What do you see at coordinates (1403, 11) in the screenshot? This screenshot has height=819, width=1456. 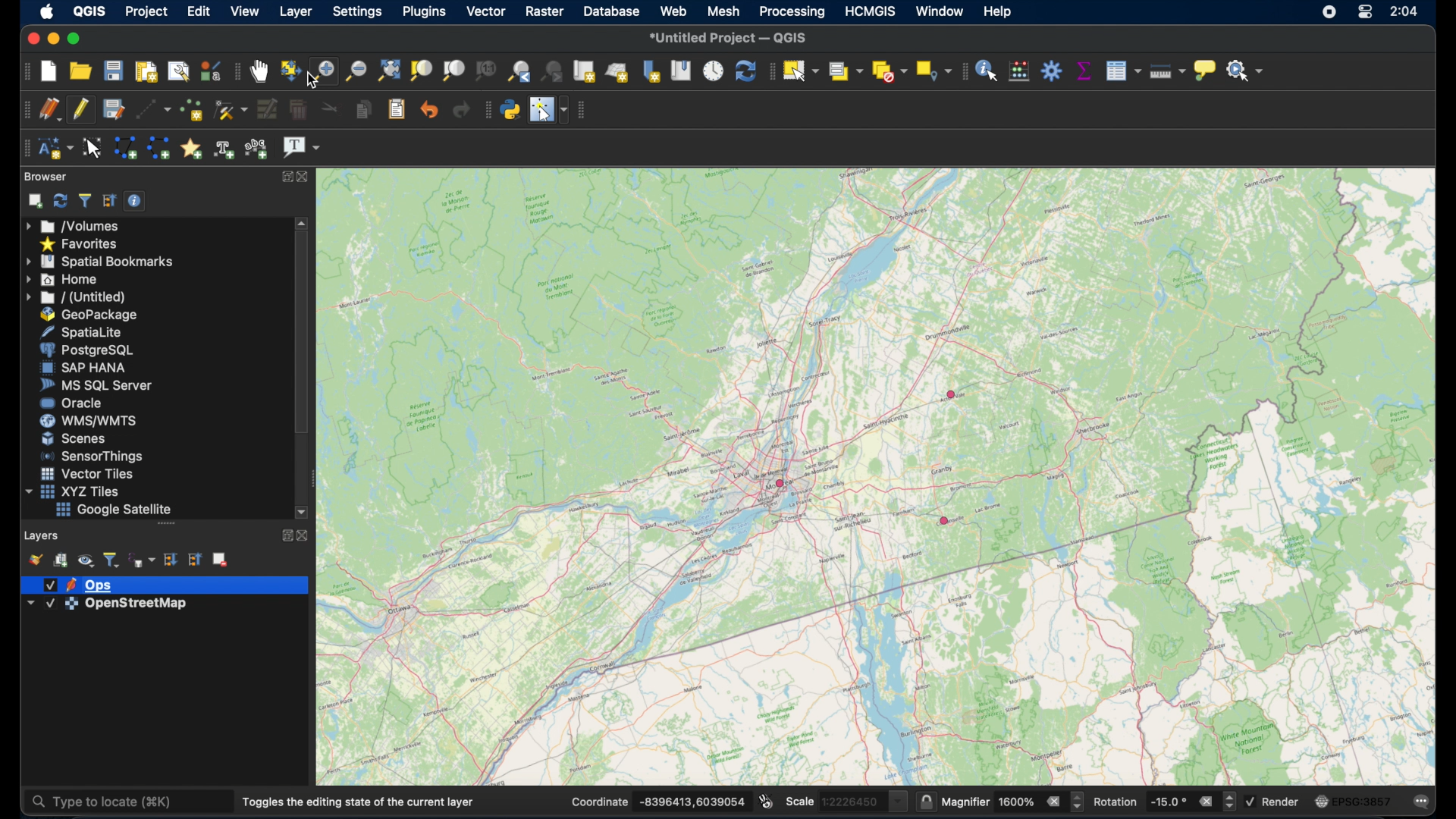 I see `time` at bounding box center [1403, 11].